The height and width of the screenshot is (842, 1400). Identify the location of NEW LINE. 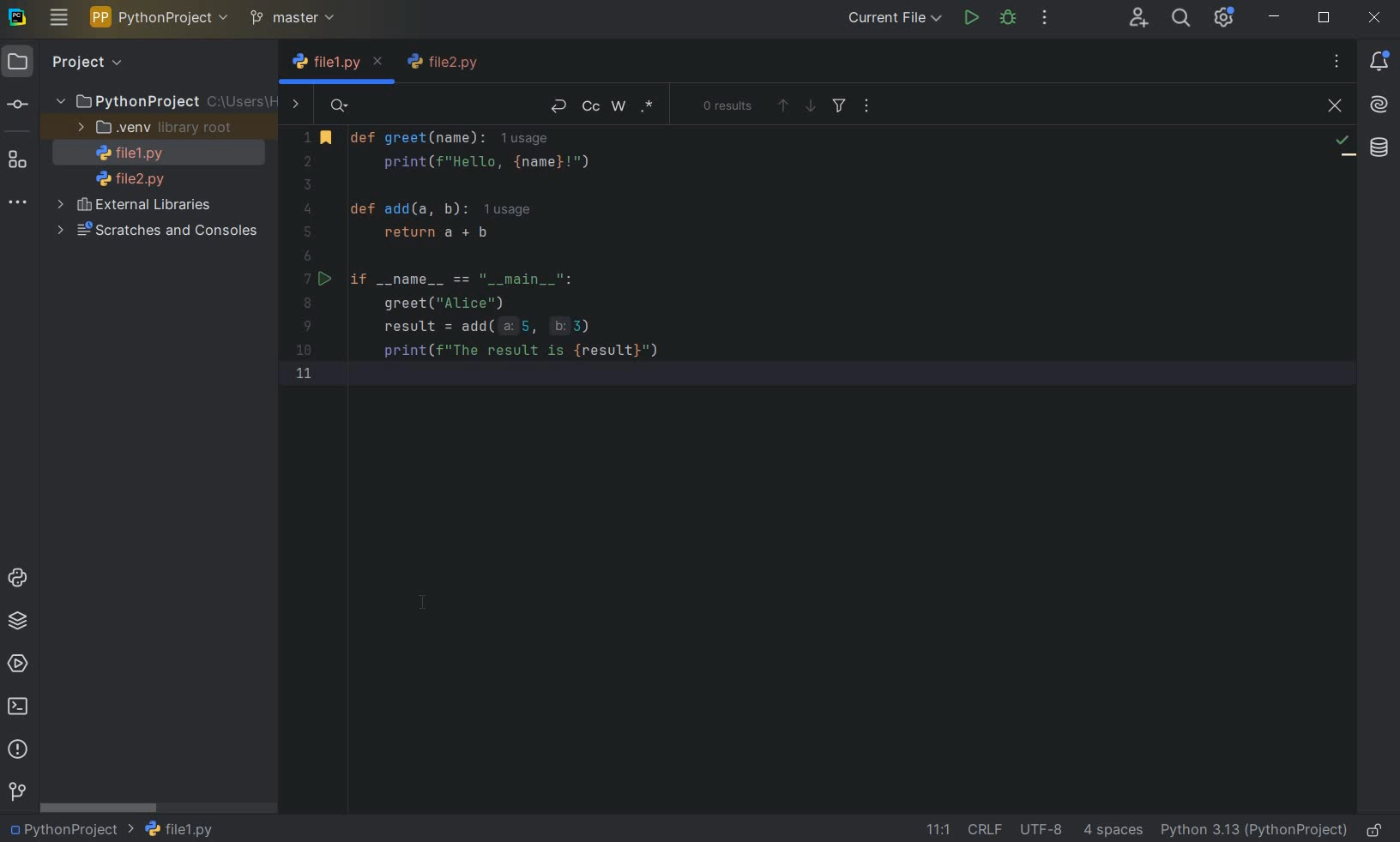
(558, 106).